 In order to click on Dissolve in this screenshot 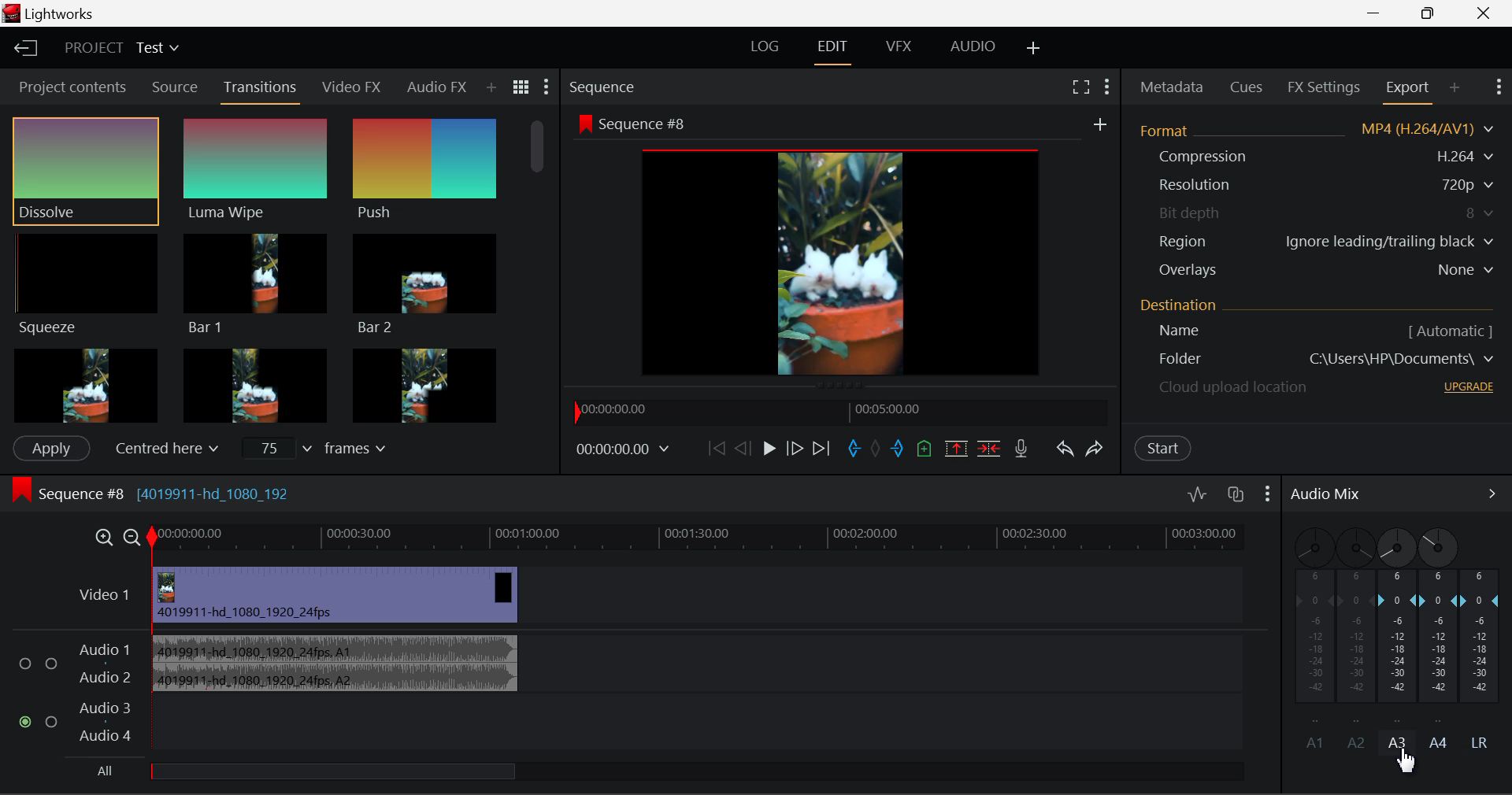, I will do `click(85, 169)`.